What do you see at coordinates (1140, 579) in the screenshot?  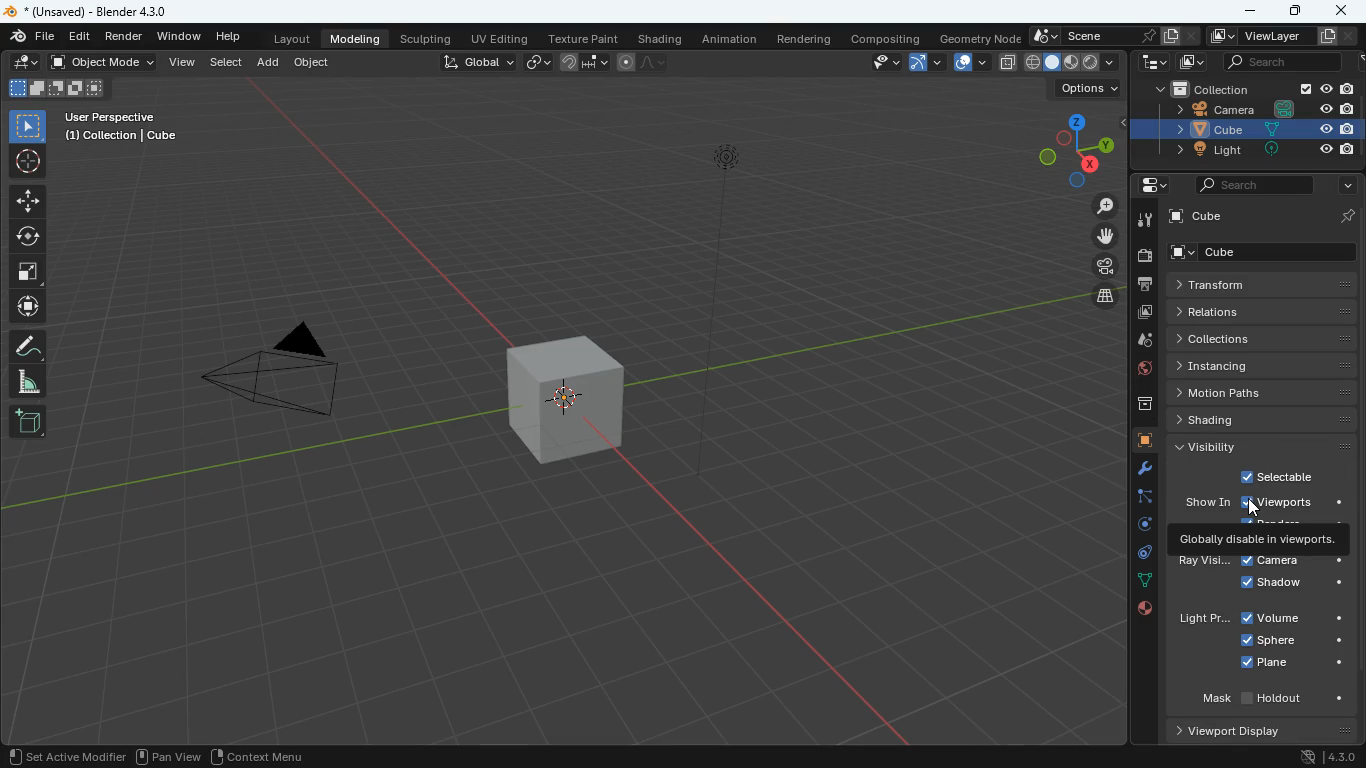 I see `connections` at bounding box center [1140, 579].